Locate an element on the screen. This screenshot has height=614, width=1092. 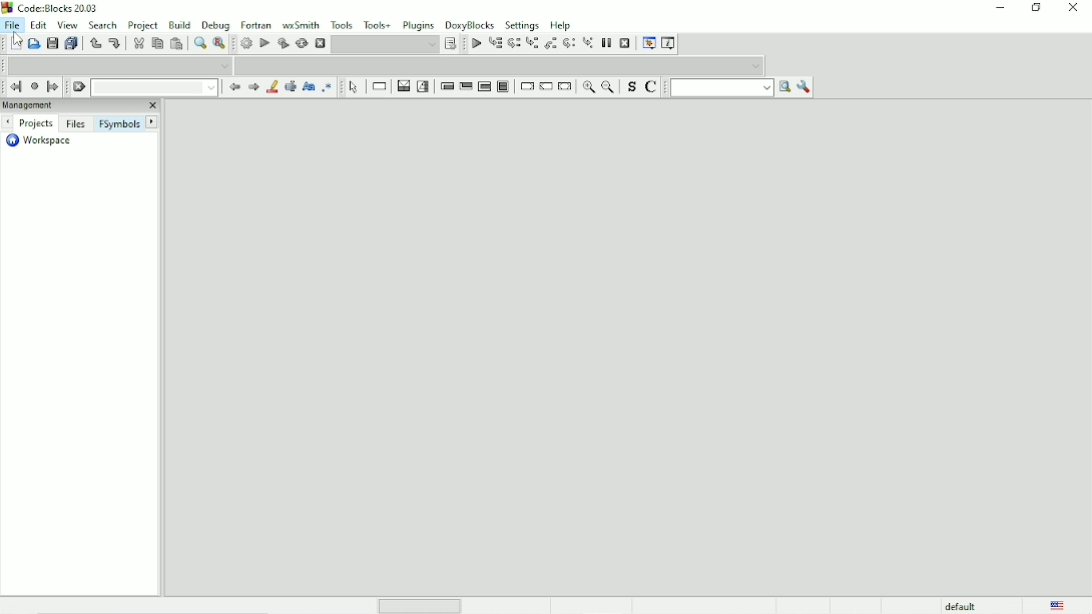
New file is located at coordinates (14, 43).